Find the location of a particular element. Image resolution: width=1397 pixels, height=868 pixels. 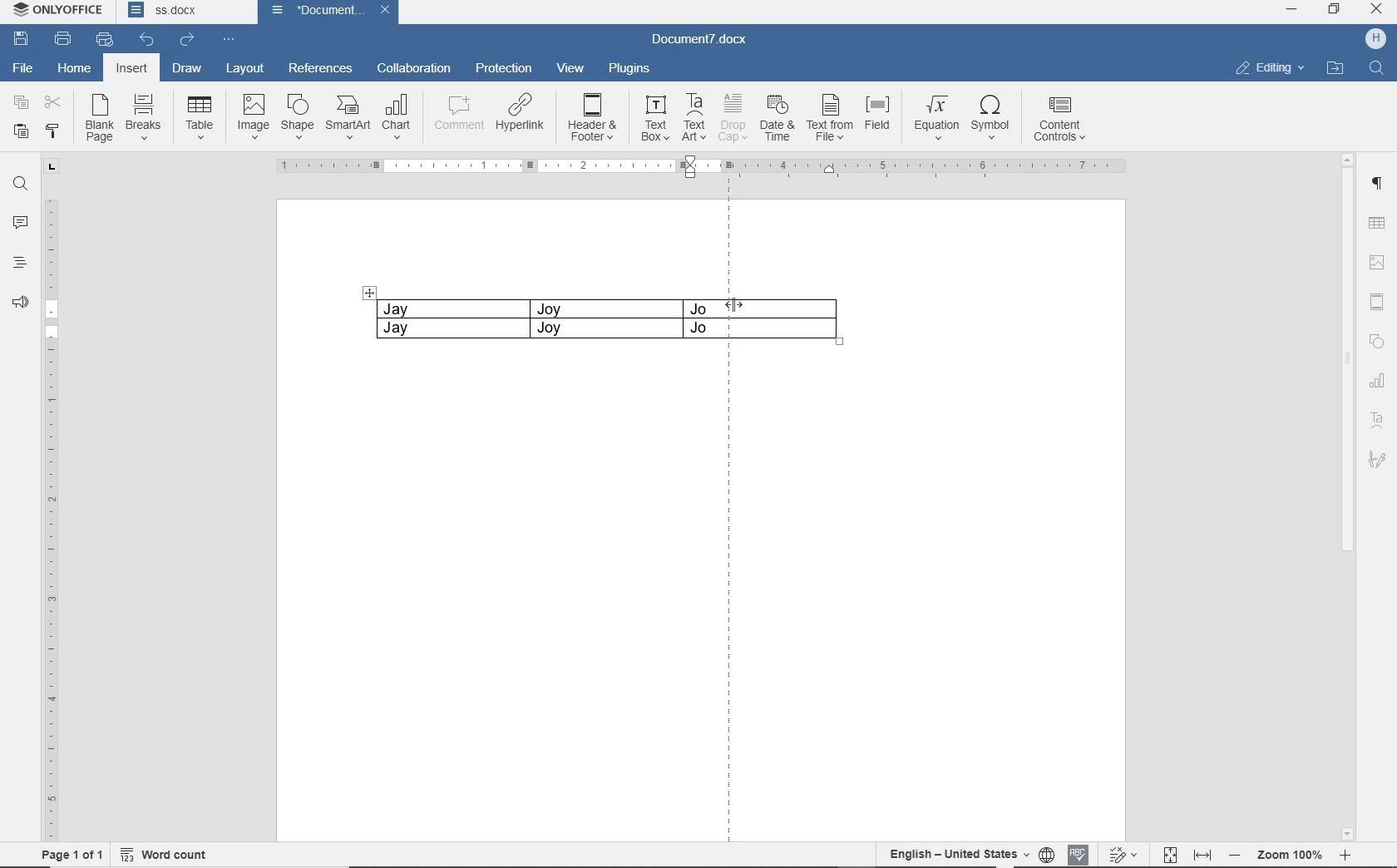

TEXT FROMFILE is located at coordinates (829, 117).